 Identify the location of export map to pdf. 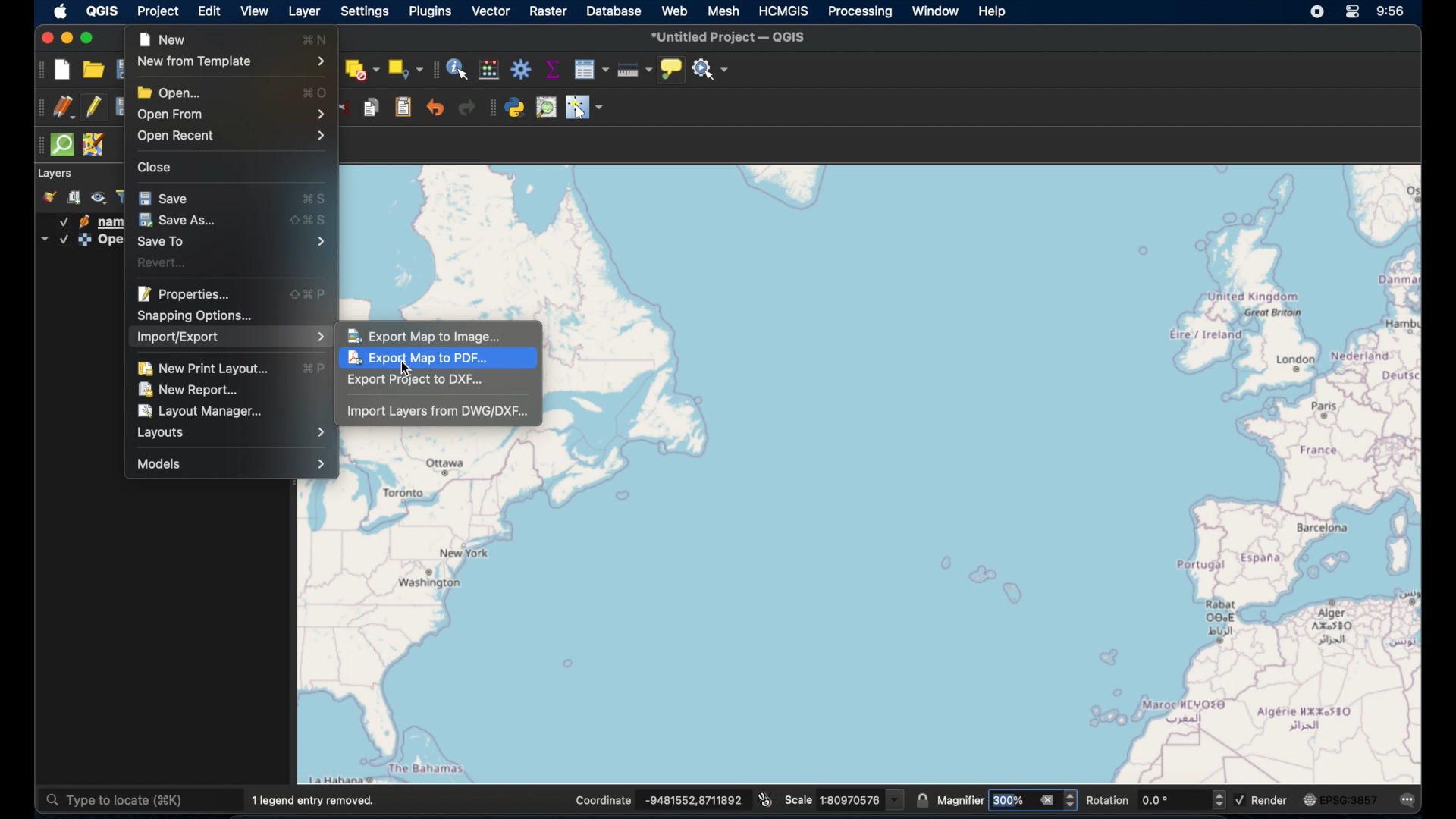
(424, 360).